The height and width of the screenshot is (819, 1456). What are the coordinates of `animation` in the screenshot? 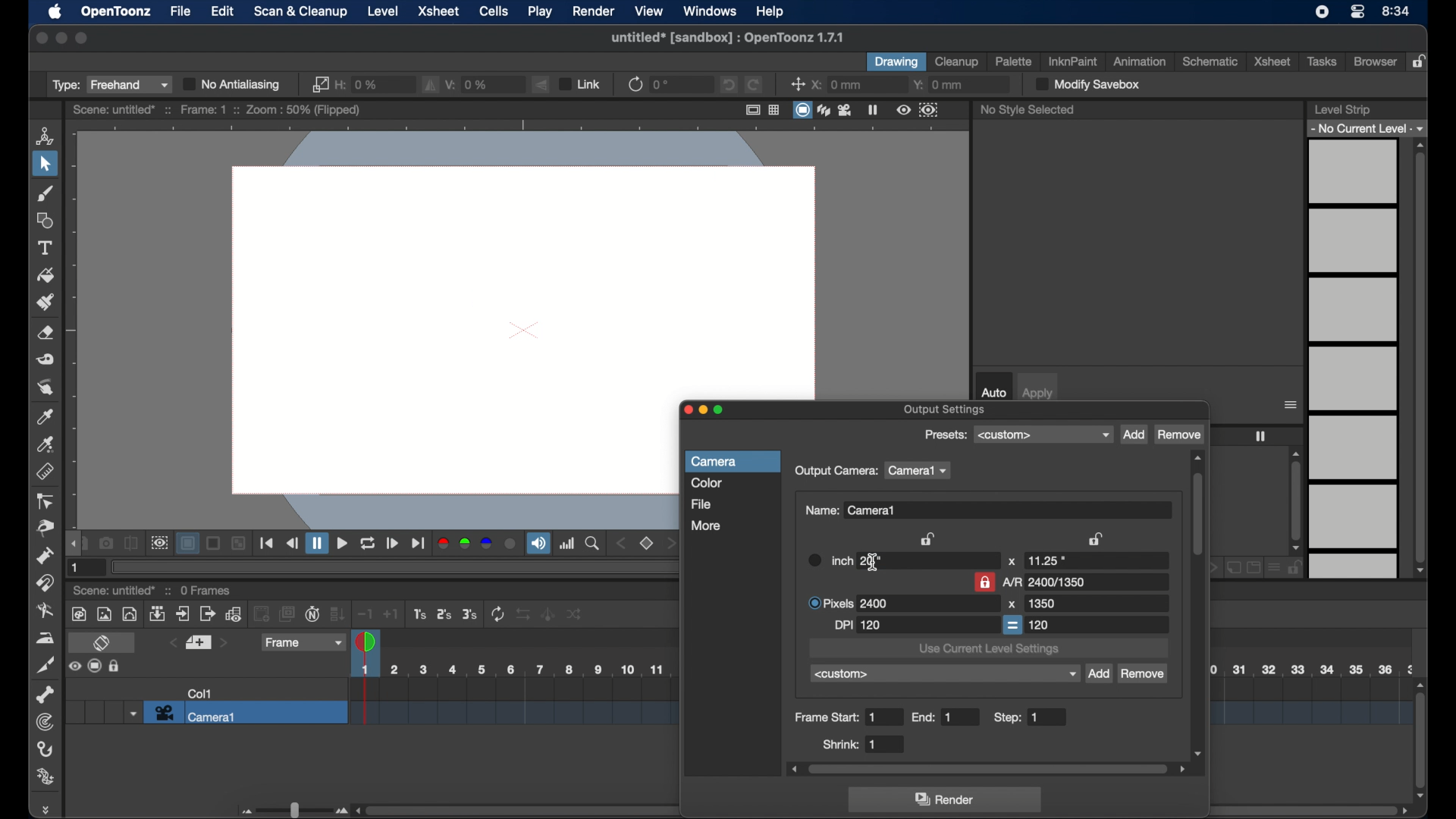 It's located at (1138, 61).